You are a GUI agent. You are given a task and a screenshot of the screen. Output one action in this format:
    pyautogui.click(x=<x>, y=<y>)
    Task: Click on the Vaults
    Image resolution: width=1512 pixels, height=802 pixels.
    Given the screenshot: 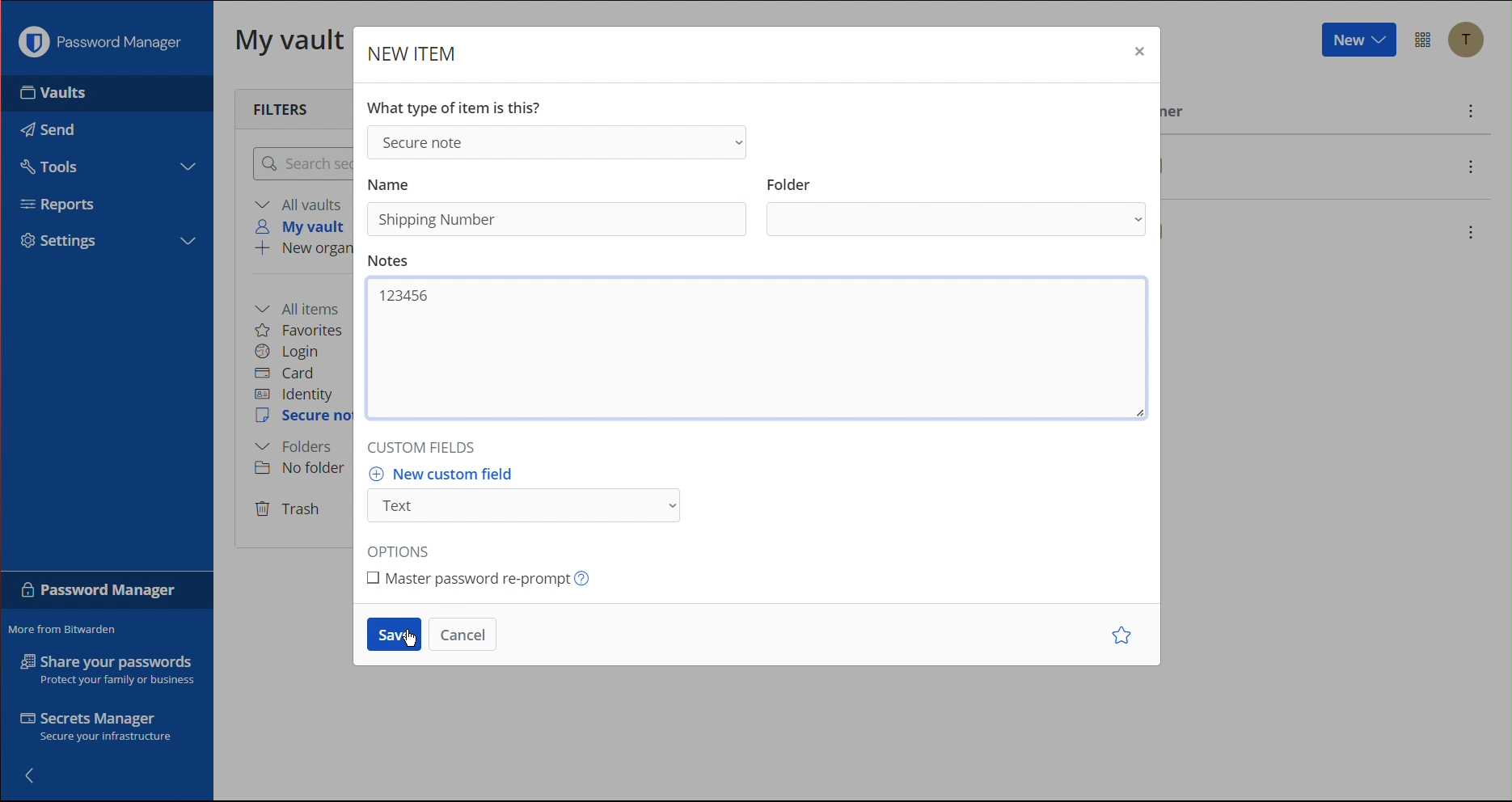 What is the action you would take?
    pyautogui.click(x=53, y=98)
    